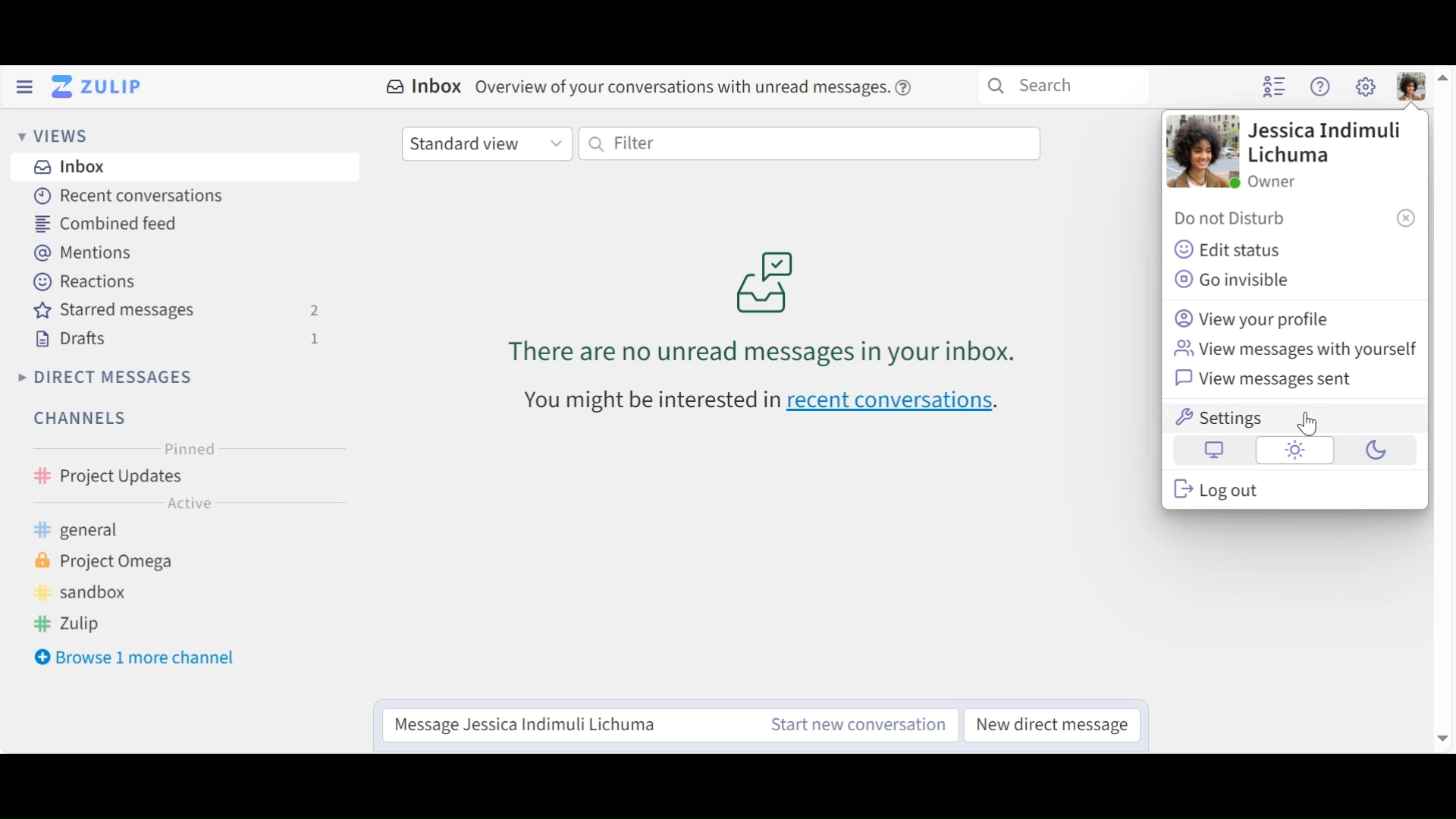  Describe the element at coordinates (136, 657) in the screenshot. I see `Browse more channel` at that location.